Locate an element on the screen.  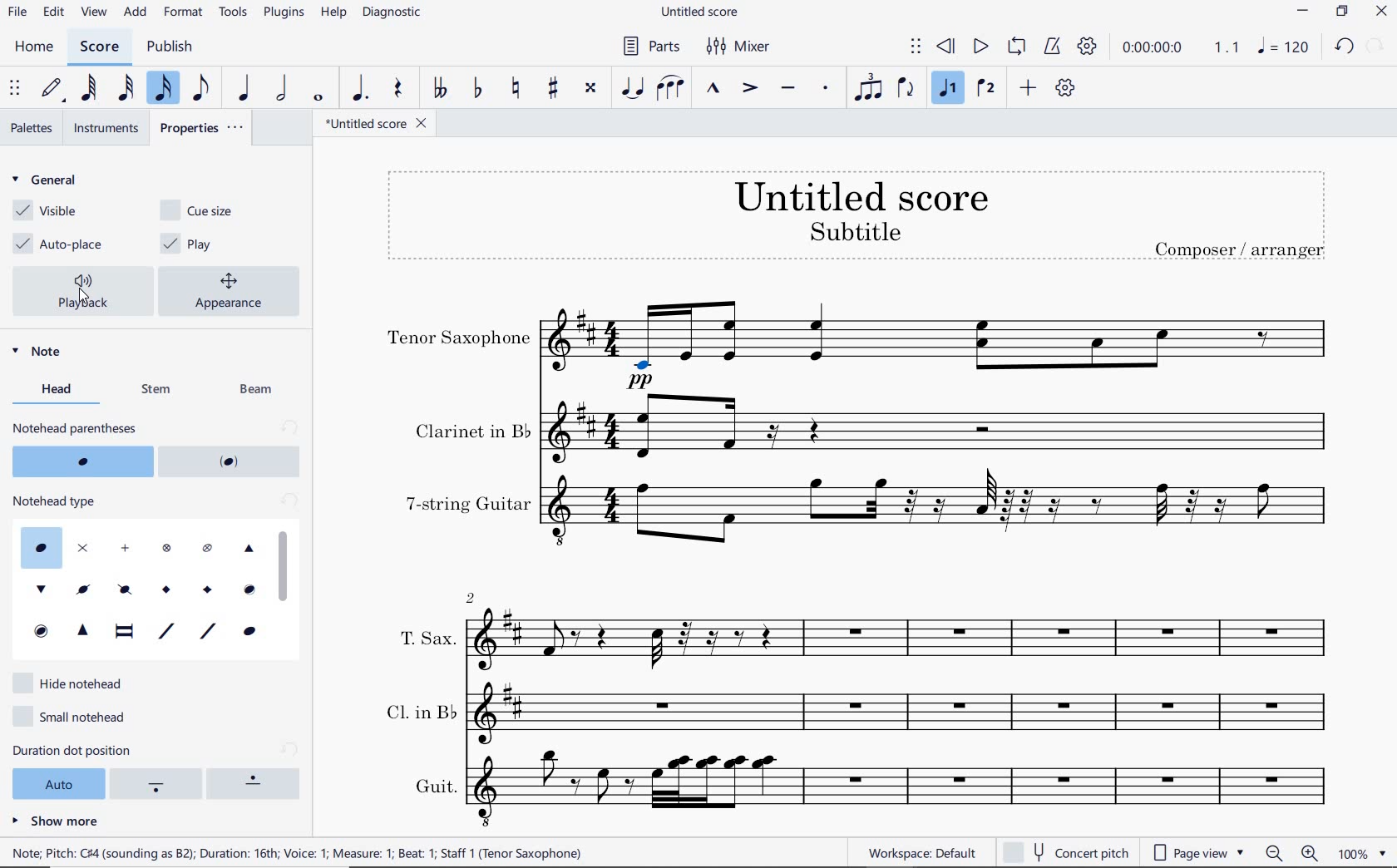
REWIND is located at coordinates (946, 47).